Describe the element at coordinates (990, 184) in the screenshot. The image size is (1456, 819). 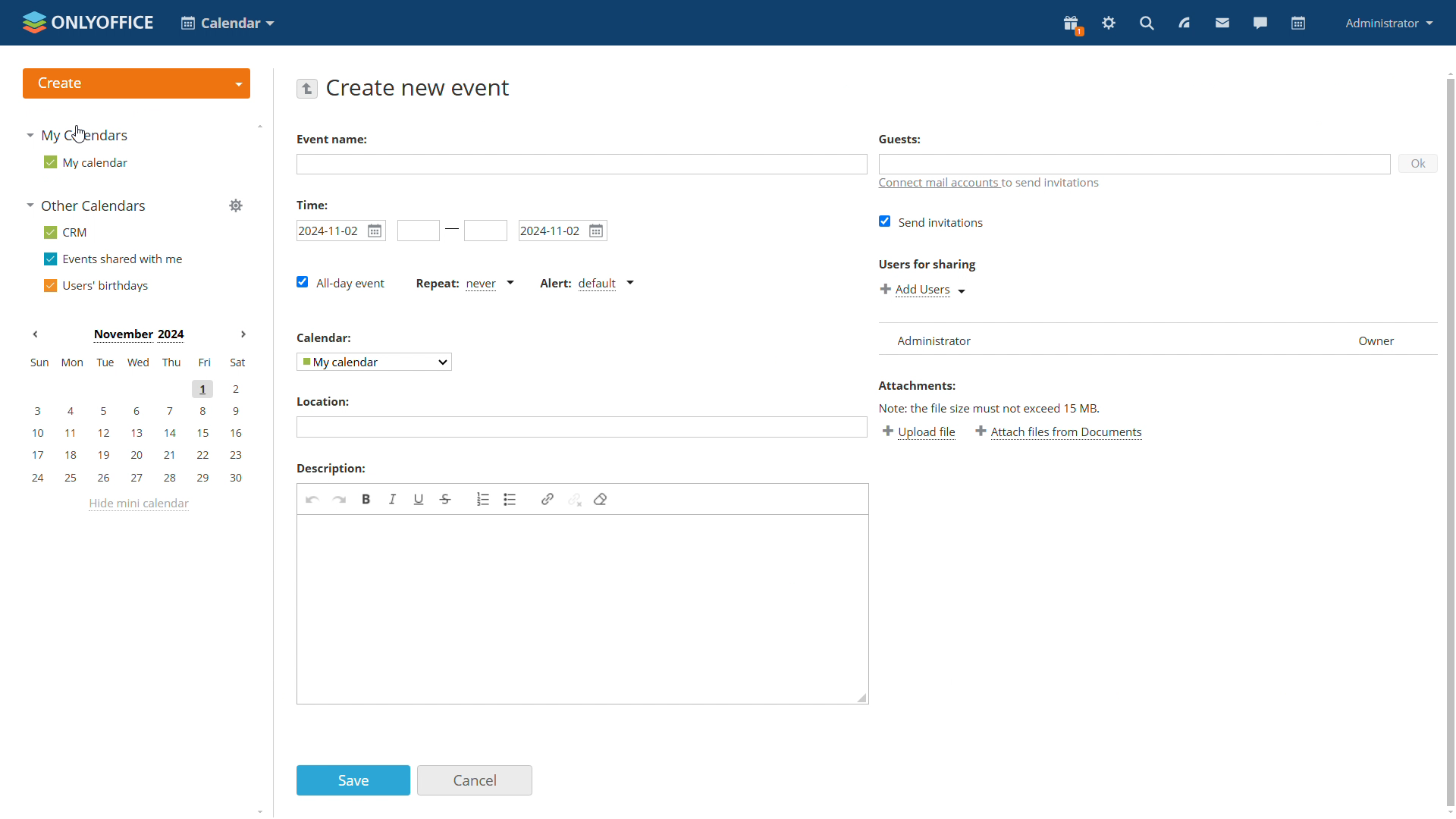
I see `connect mail accounts` at that location.